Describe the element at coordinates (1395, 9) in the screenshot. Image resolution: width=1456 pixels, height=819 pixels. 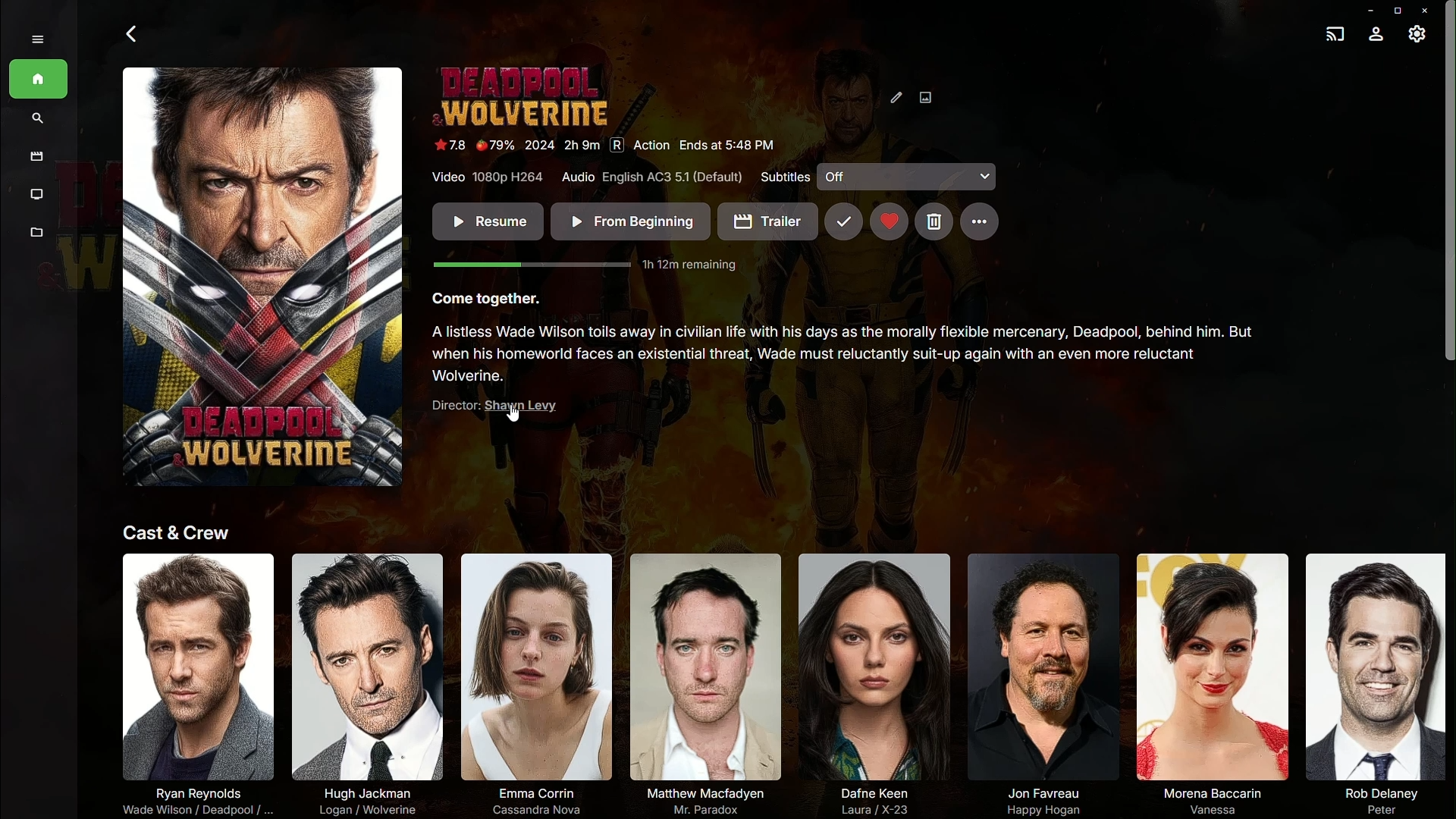
I see `Restore` at that location.